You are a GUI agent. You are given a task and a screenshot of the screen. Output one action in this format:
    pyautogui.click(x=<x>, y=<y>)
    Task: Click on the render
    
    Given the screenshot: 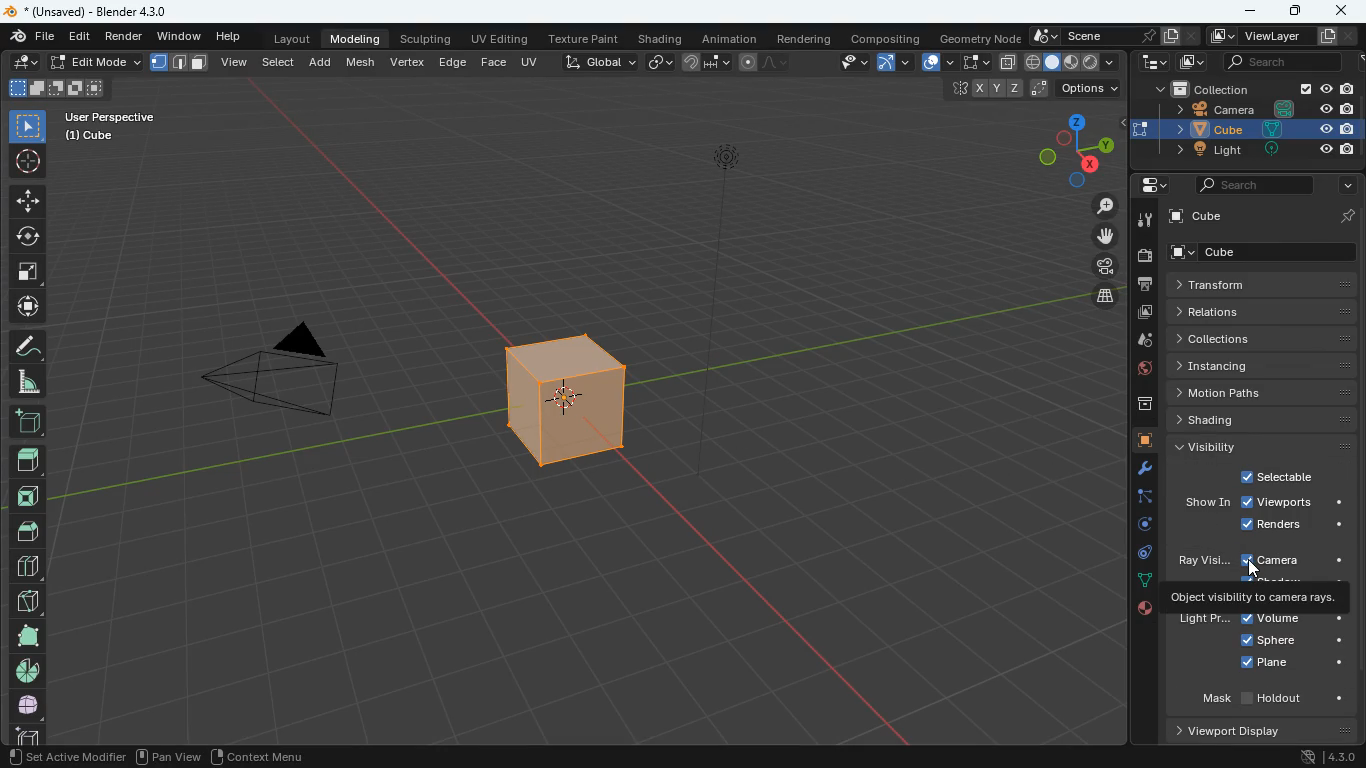 What is the action you would take?
    pyautogui.click(x=124, y=37)
    